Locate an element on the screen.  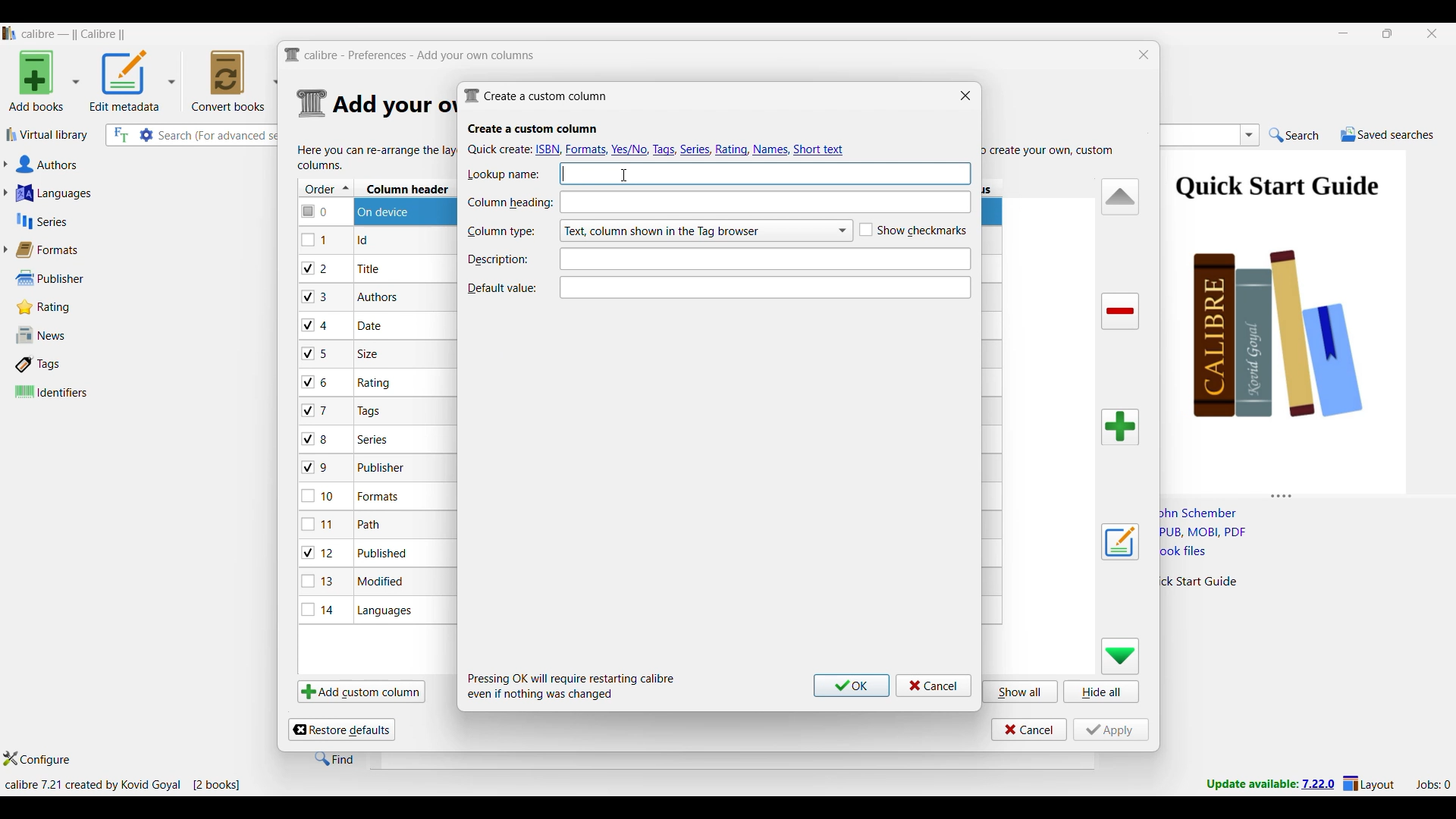
Tags is located at coordinates (71, 364).